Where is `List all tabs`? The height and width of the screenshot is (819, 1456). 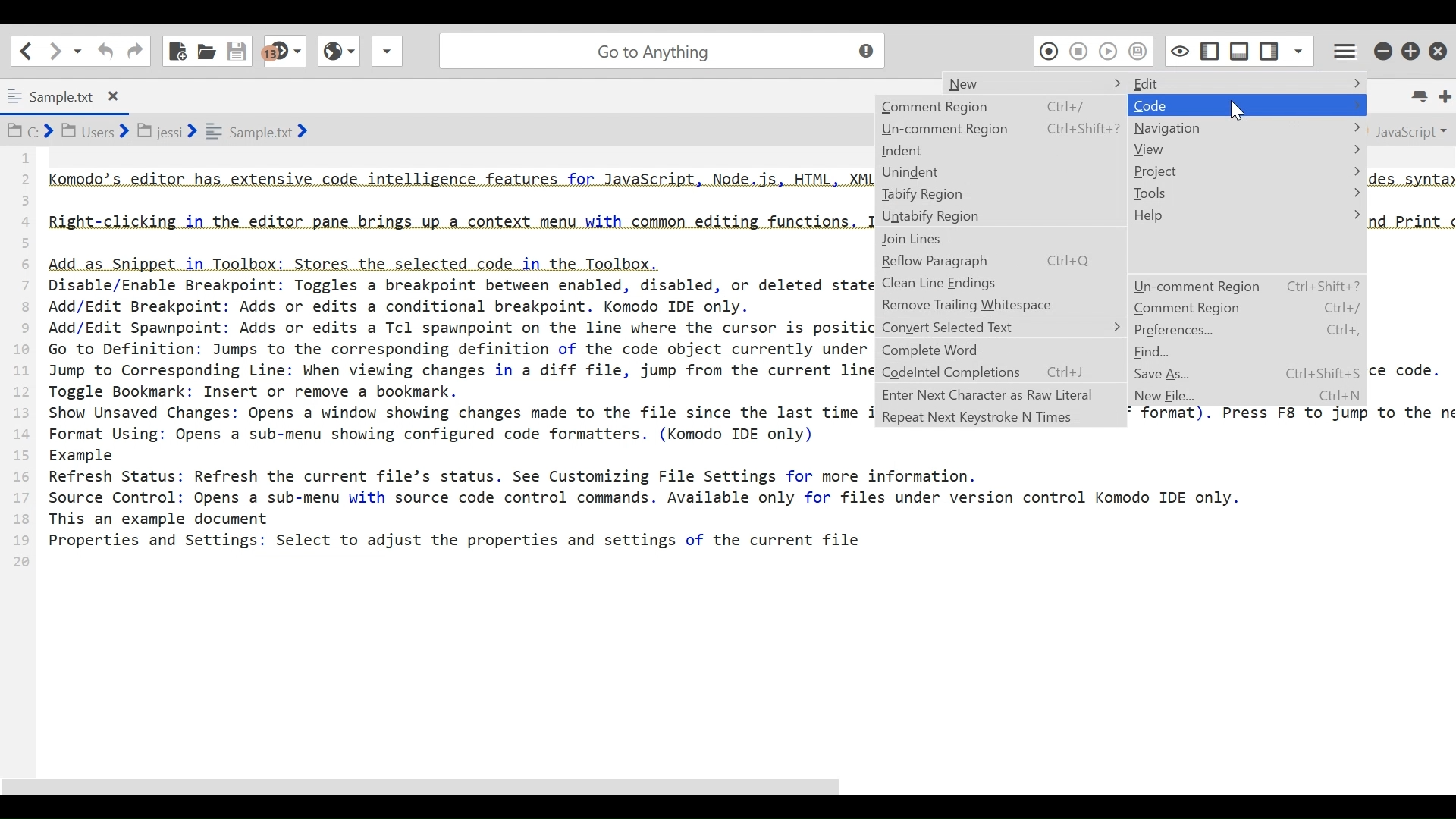 List all tabs is located at coordinates (1423, 96).